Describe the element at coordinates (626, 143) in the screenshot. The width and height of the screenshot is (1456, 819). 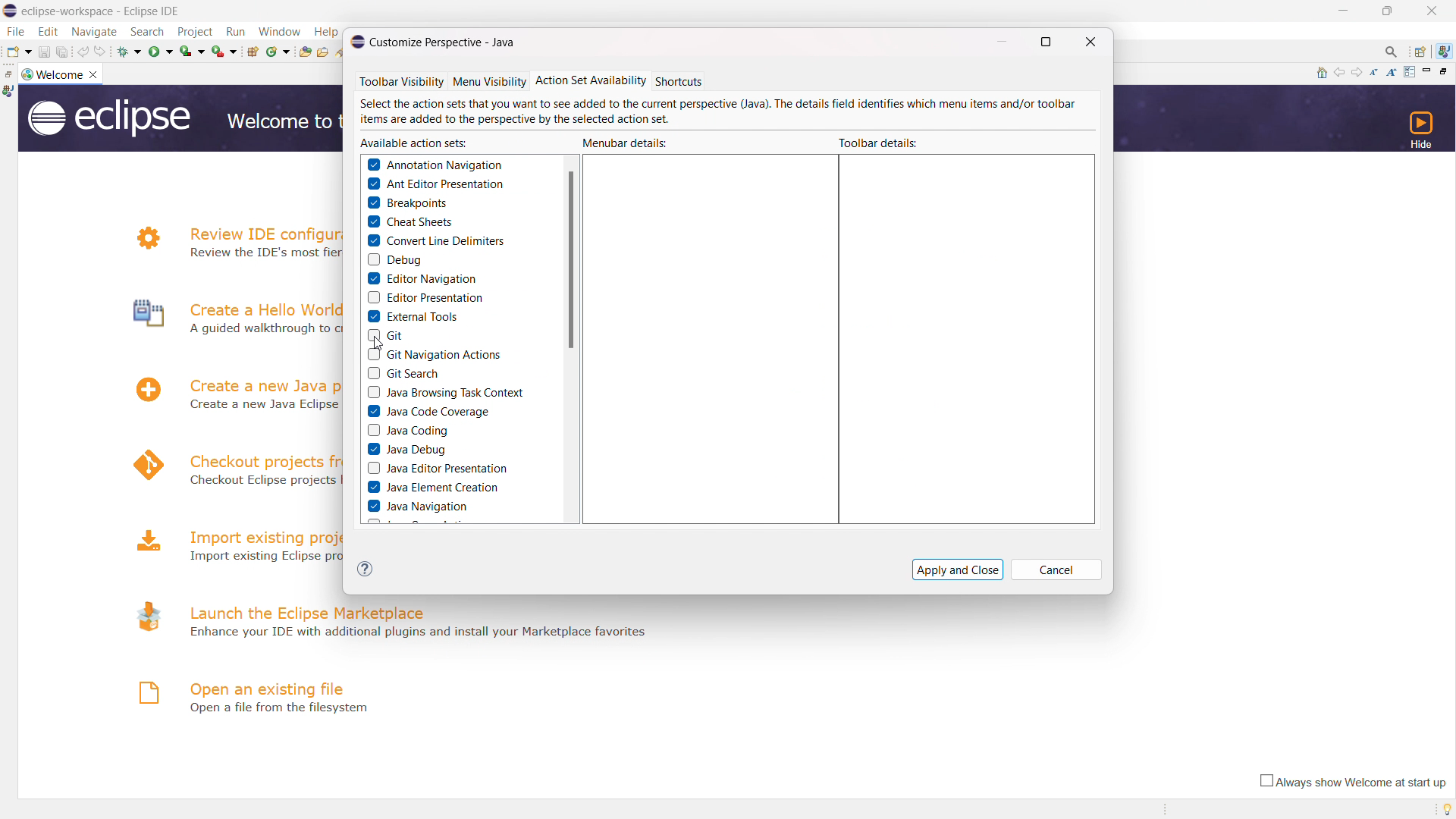
I see `menubar details` at that location.